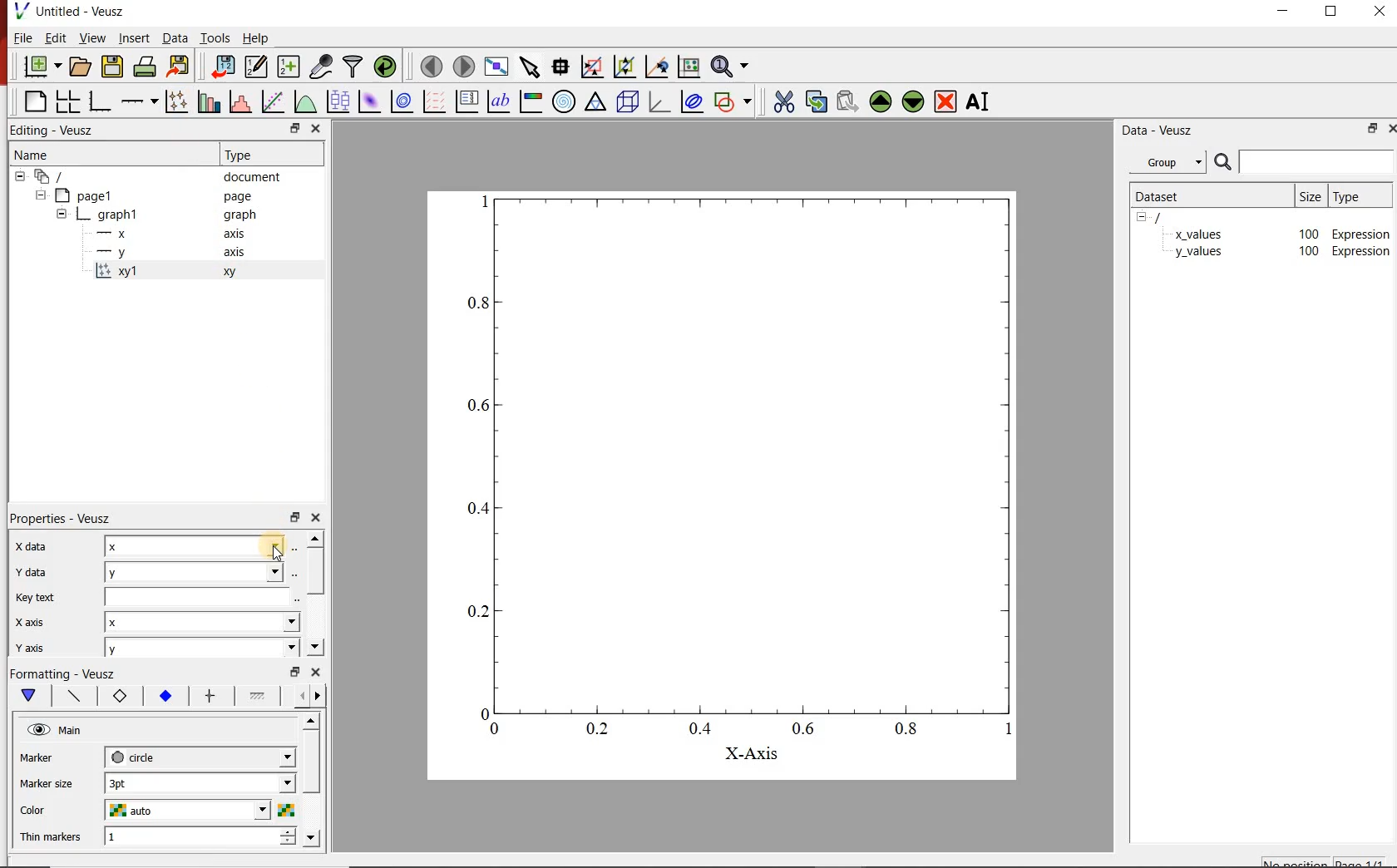 This screenshot has width=1397, height=868. Describe the element at coordinates (317, 128) in the screenshot. I see `close` at that location.